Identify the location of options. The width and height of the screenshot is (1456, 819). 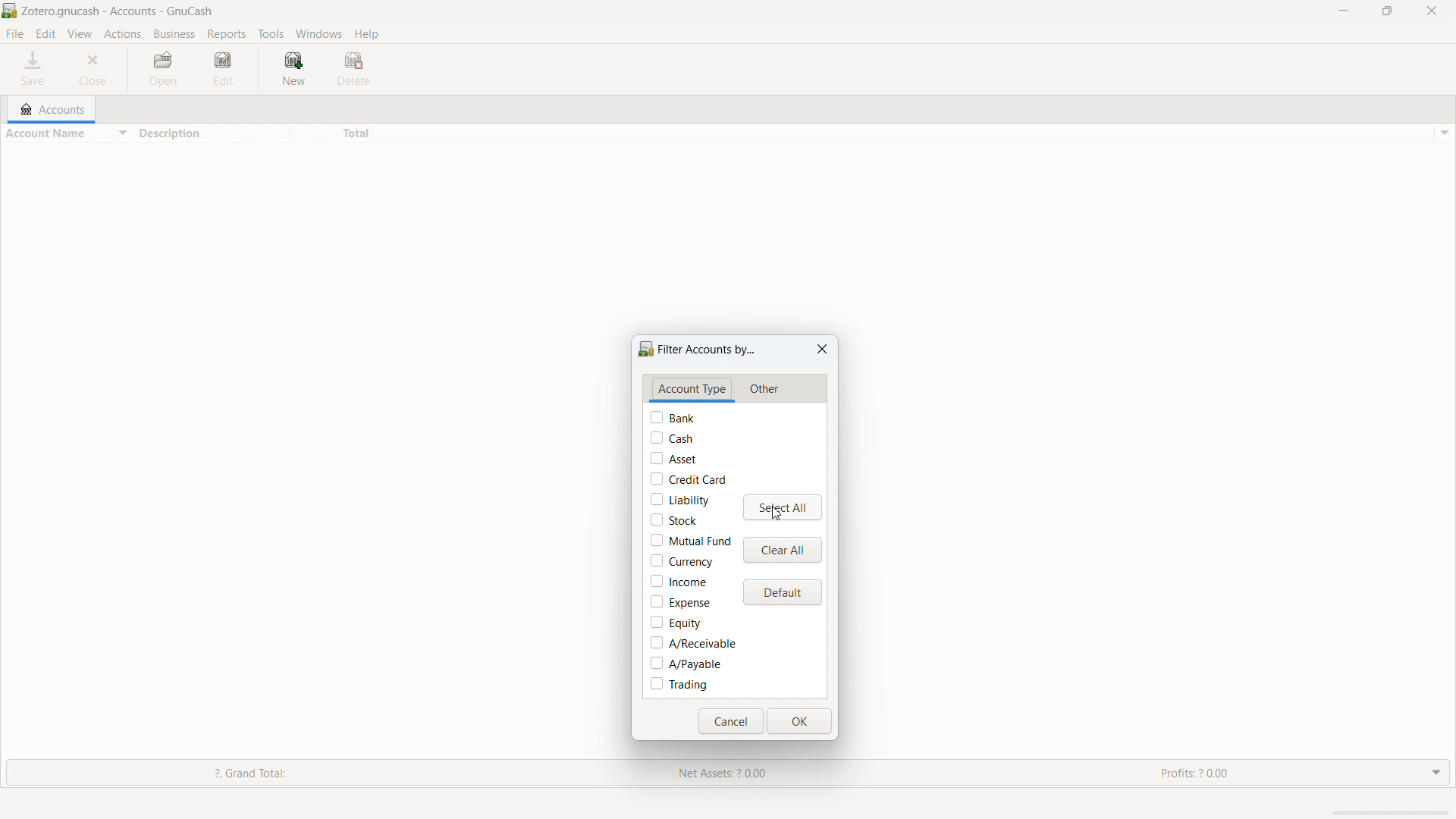
(1442, 133).